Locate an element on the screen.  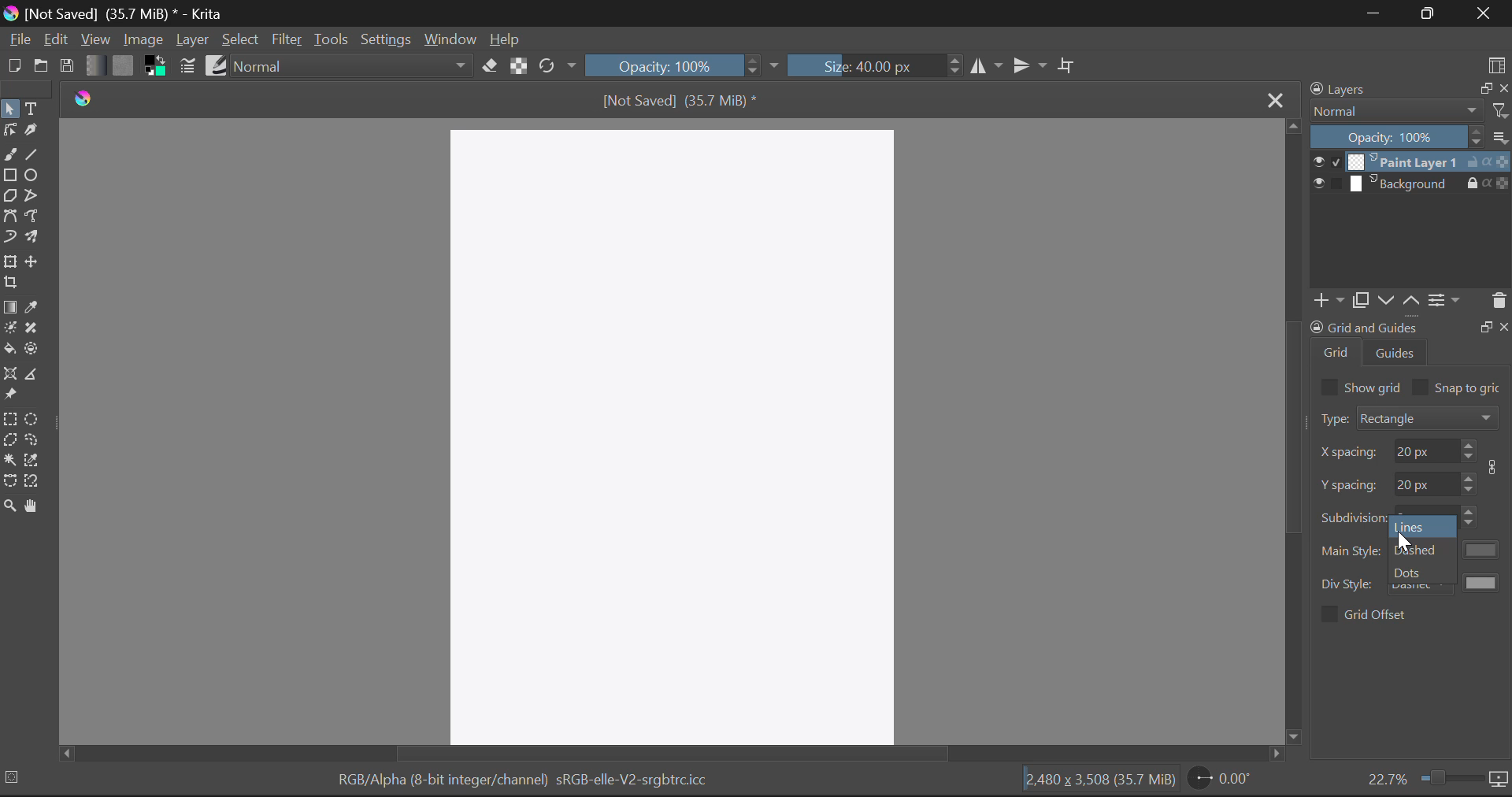
Open is located at coordinates (41, 68).